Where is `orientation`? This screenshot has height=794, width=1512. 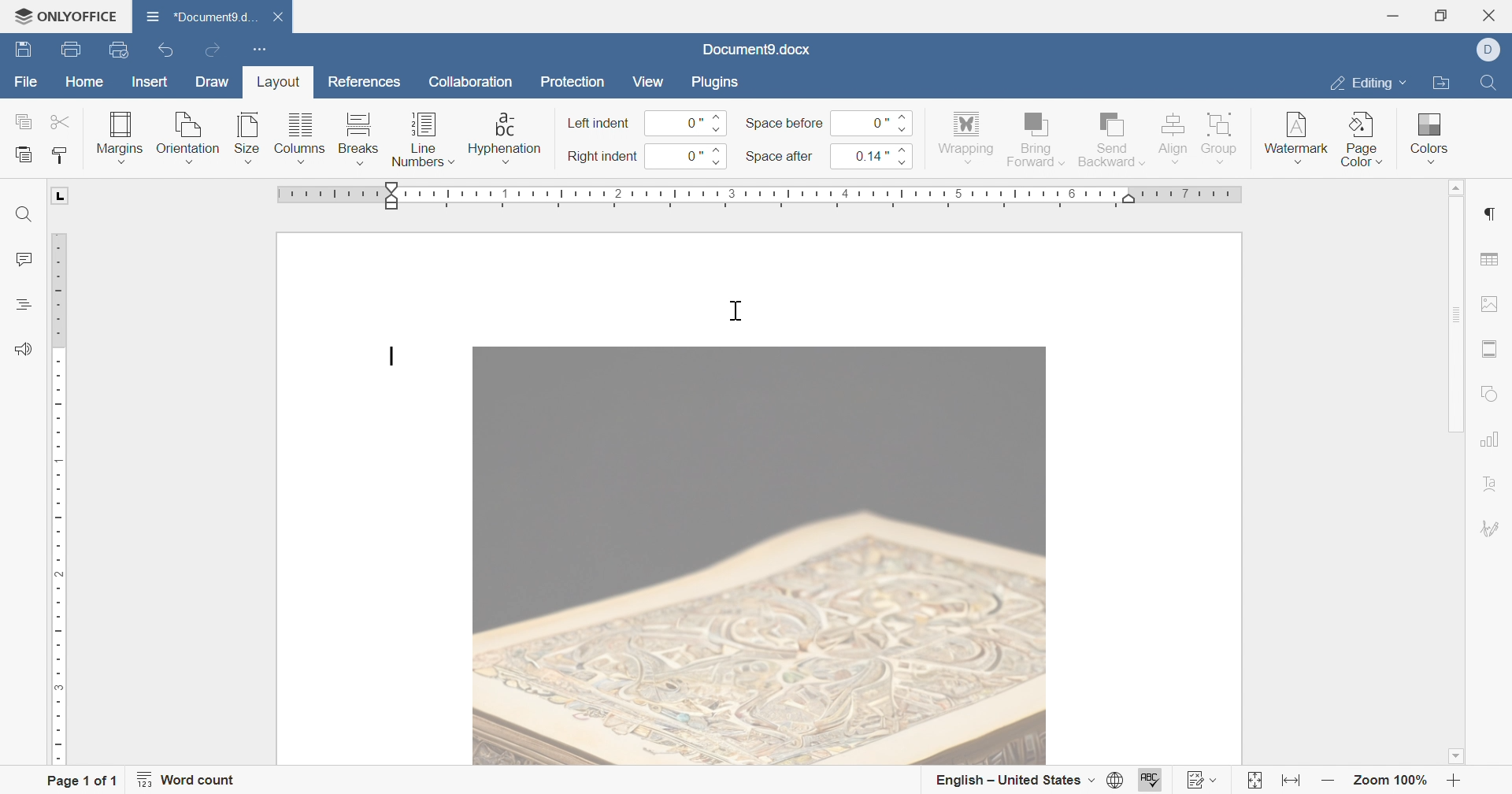 orientation is located at coordinates (187, 139).